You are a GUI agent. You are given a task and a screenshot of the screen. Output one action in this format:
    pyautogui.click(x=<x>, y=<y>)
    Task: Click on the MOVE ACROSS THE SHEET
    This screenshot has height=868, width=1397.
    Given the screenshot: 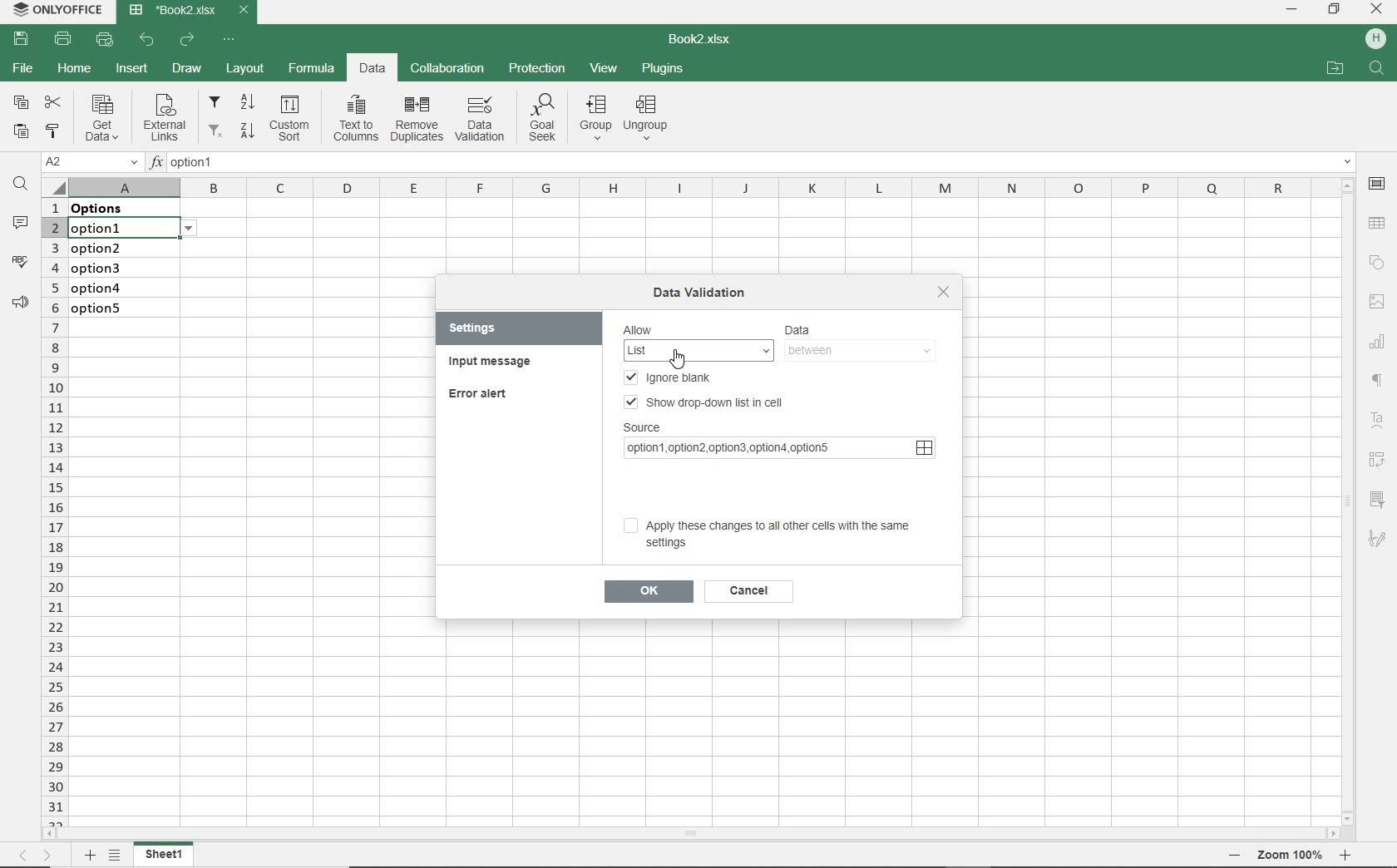 What is the action you would take?
    pyautogui.click(x=36, y=855)
    